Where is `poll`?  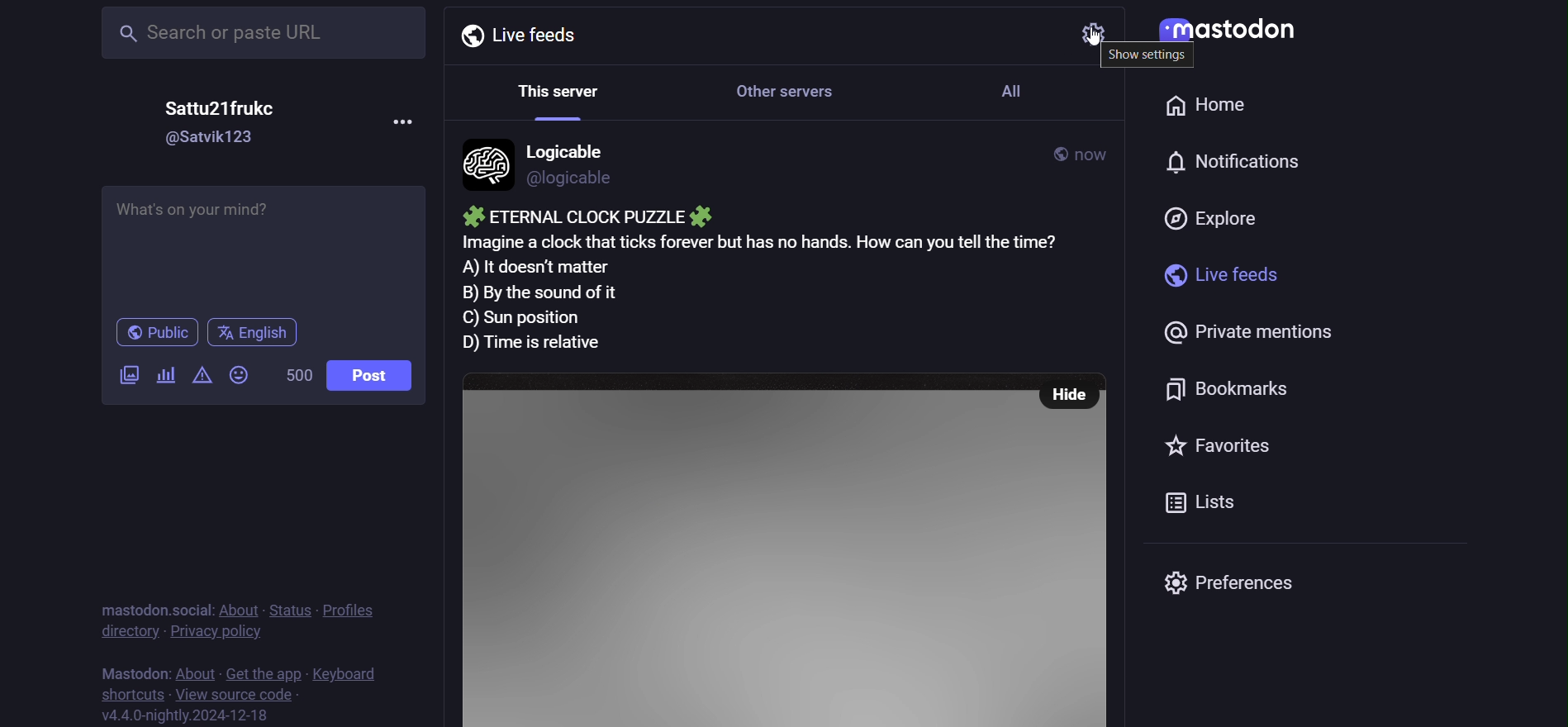
poll is located at coordinates (167, 373).